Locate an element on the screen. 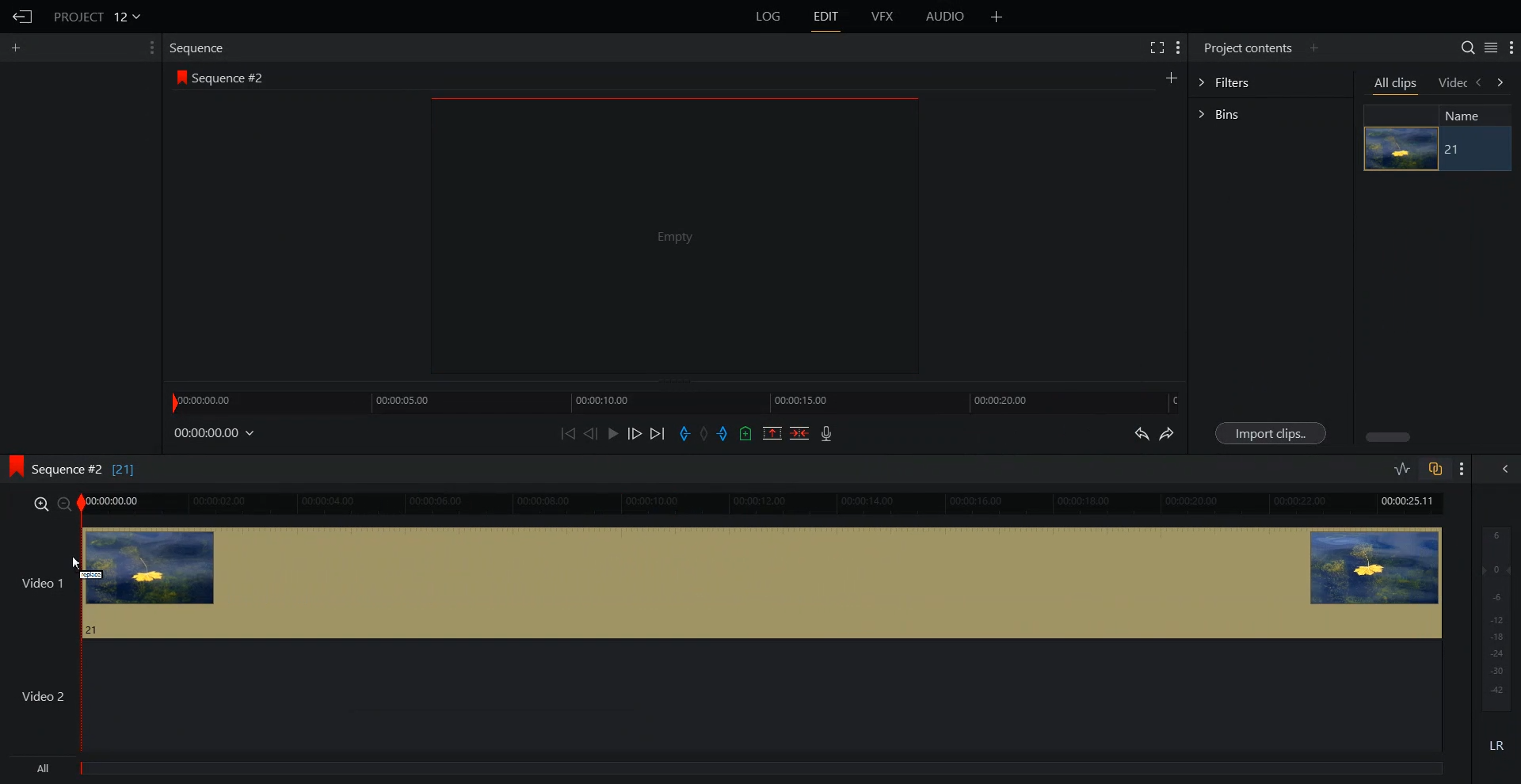  All is located at coordinates (731, 771).